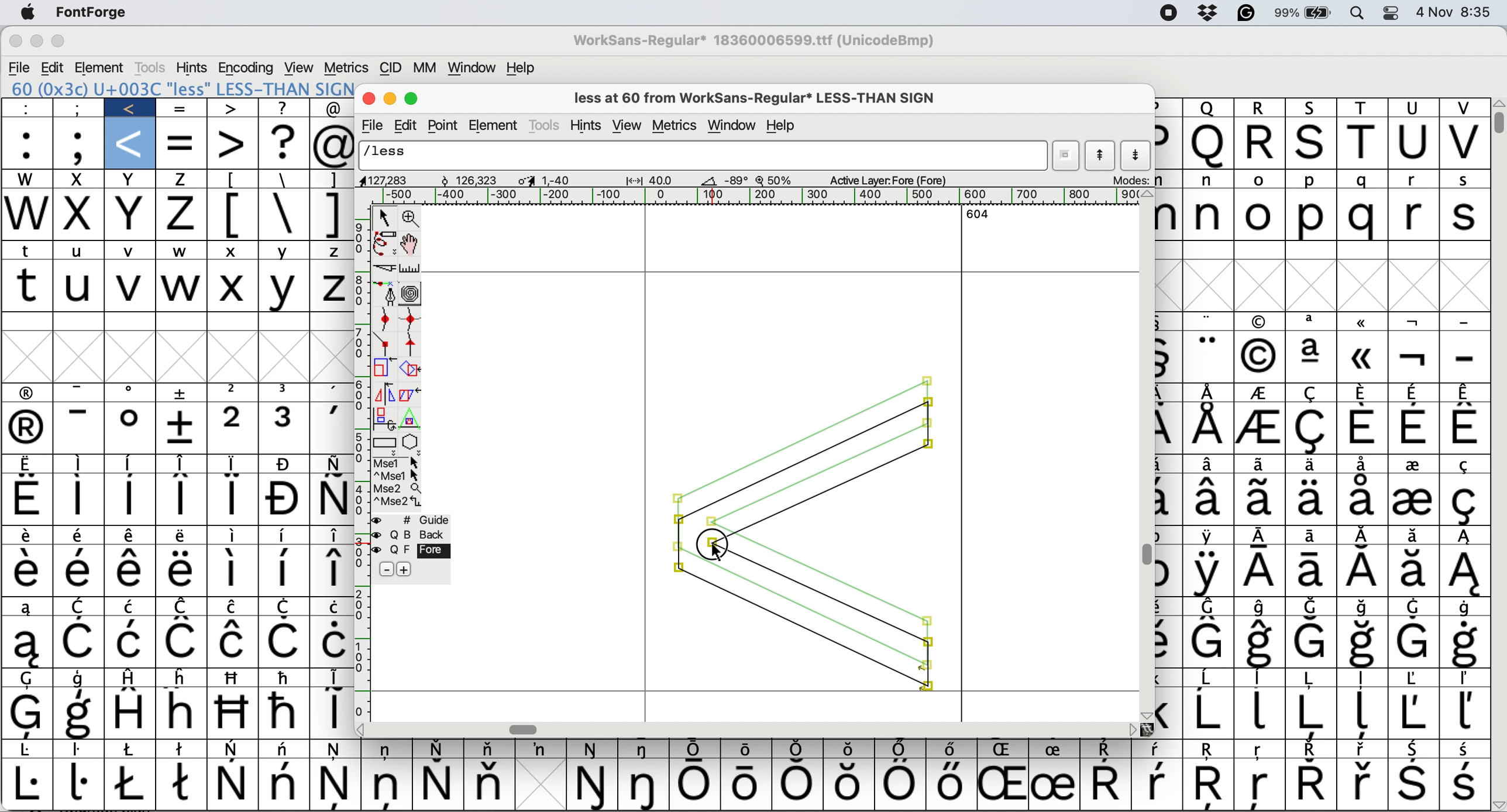  What do you see at coordinates (131, 572) in the screenshot?
I see `Symbol` at bounding box center [131, 572].